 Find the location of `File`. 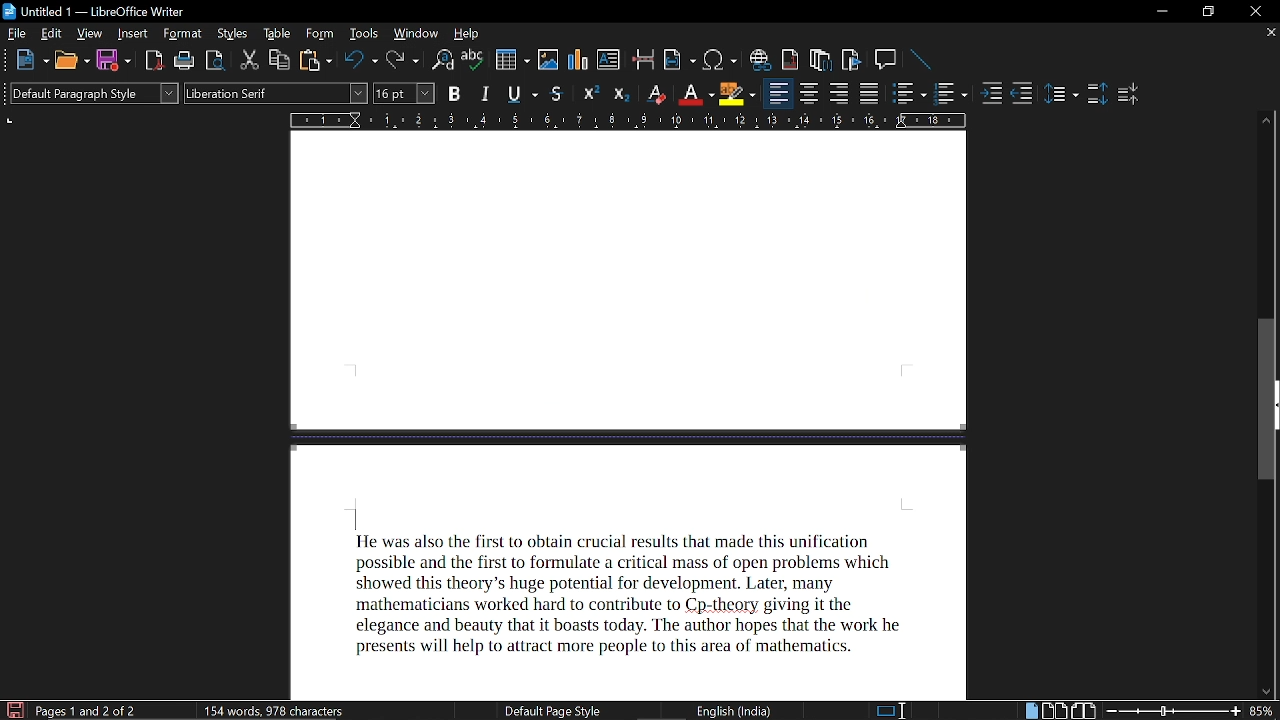

File is located at coordinates (16, 33).